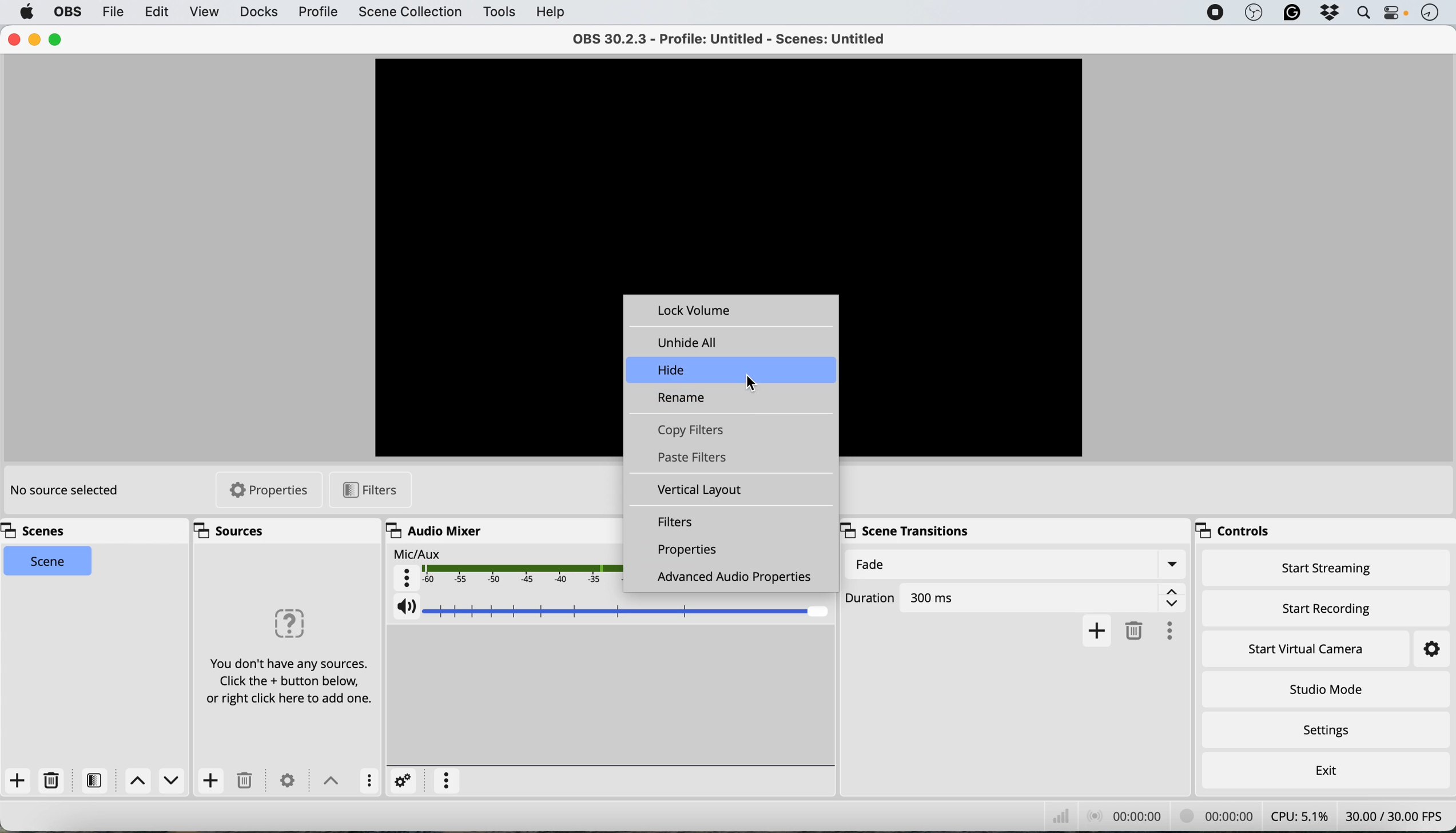  What do you see at coordinates (229, 530) in the screenshot?
I see `sources` at bounding box center [229, 530].